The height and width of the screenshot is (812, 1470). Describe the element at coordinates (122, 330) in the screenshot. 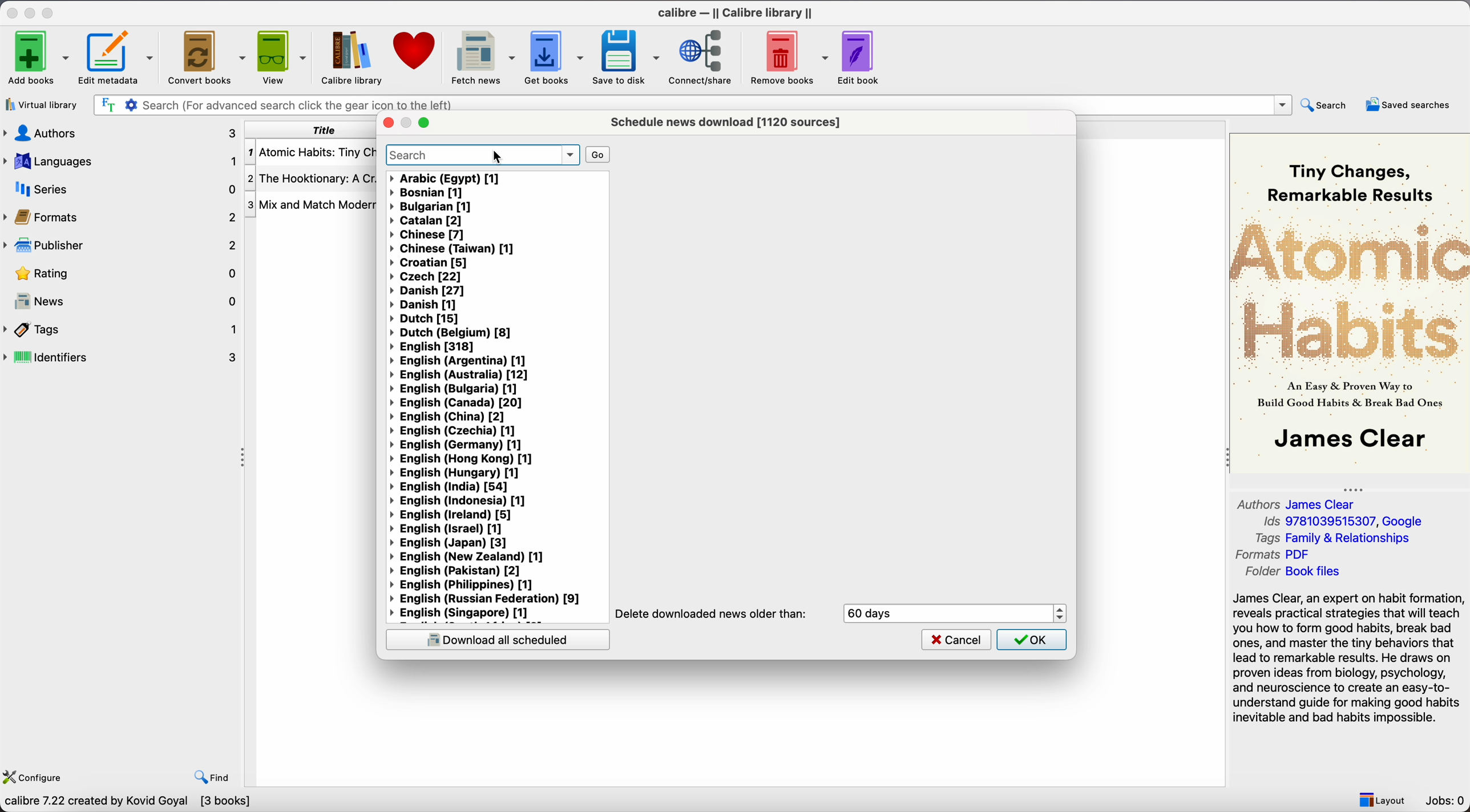

I see `tags` at that location.